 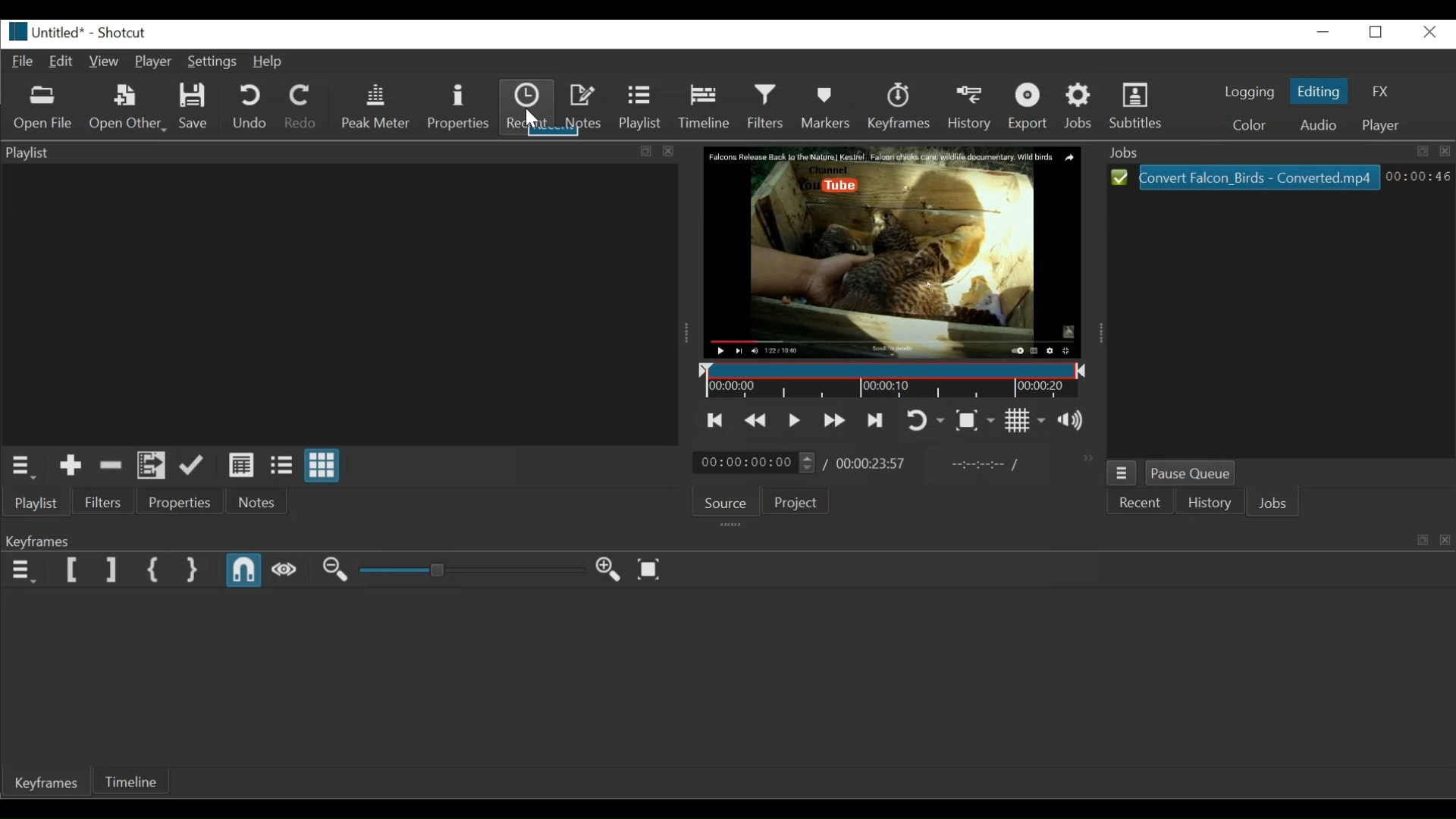 I want to click on FX, so click(x=1376, y=91).